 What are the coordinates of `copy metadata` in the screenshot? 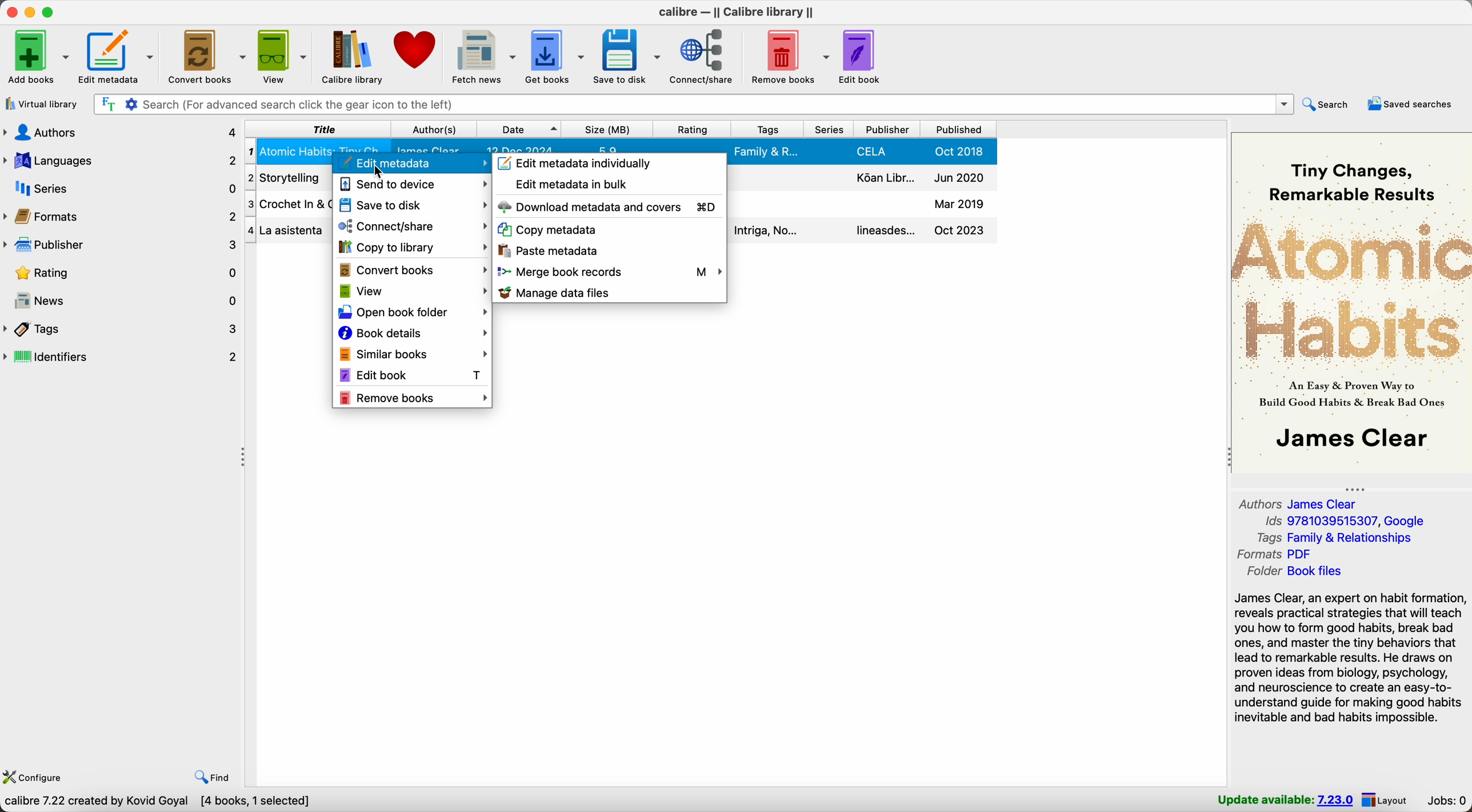 It's located at (555, 228).